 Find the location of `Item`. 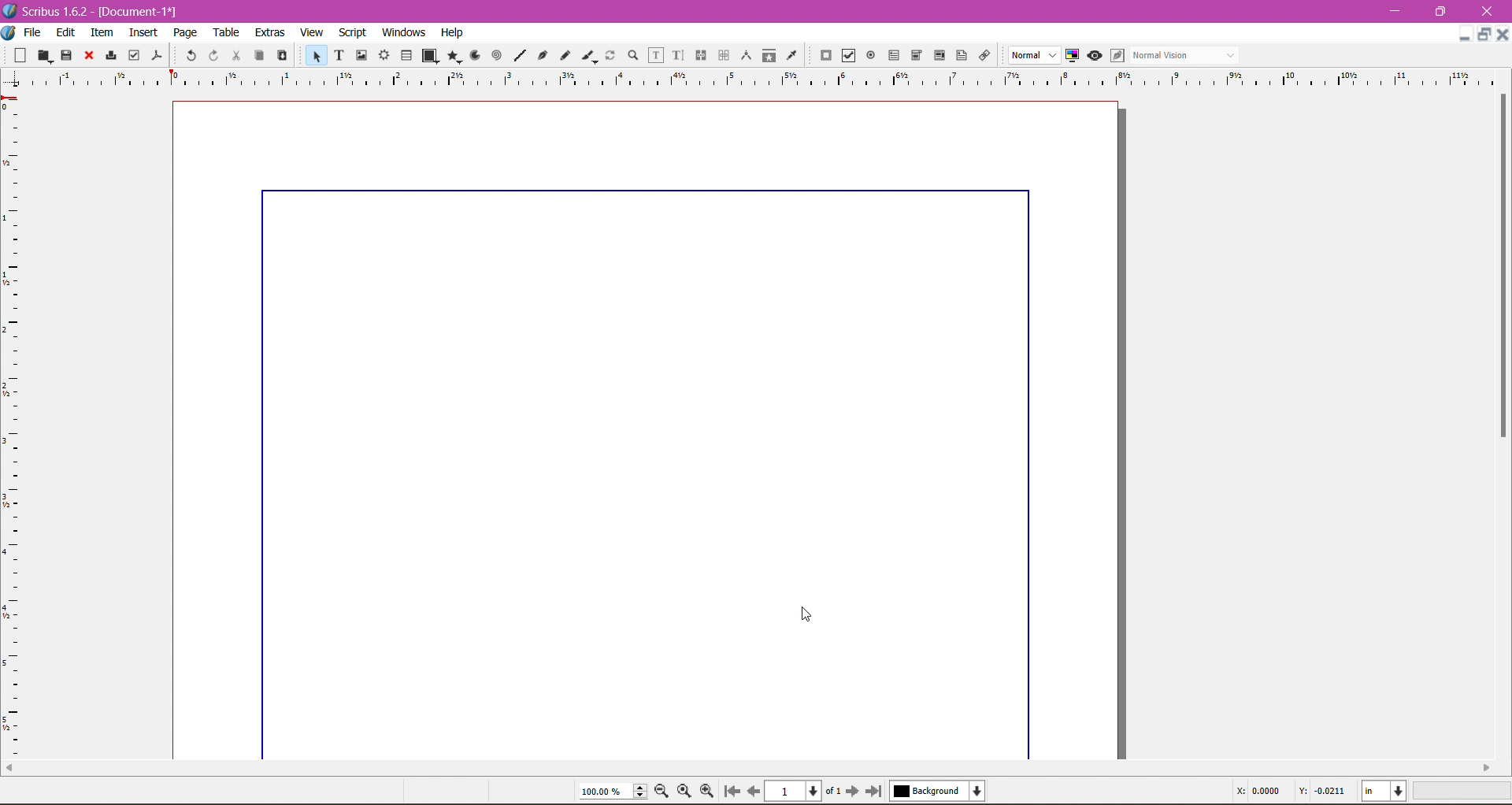

Item is located at coordinates (101, 32).